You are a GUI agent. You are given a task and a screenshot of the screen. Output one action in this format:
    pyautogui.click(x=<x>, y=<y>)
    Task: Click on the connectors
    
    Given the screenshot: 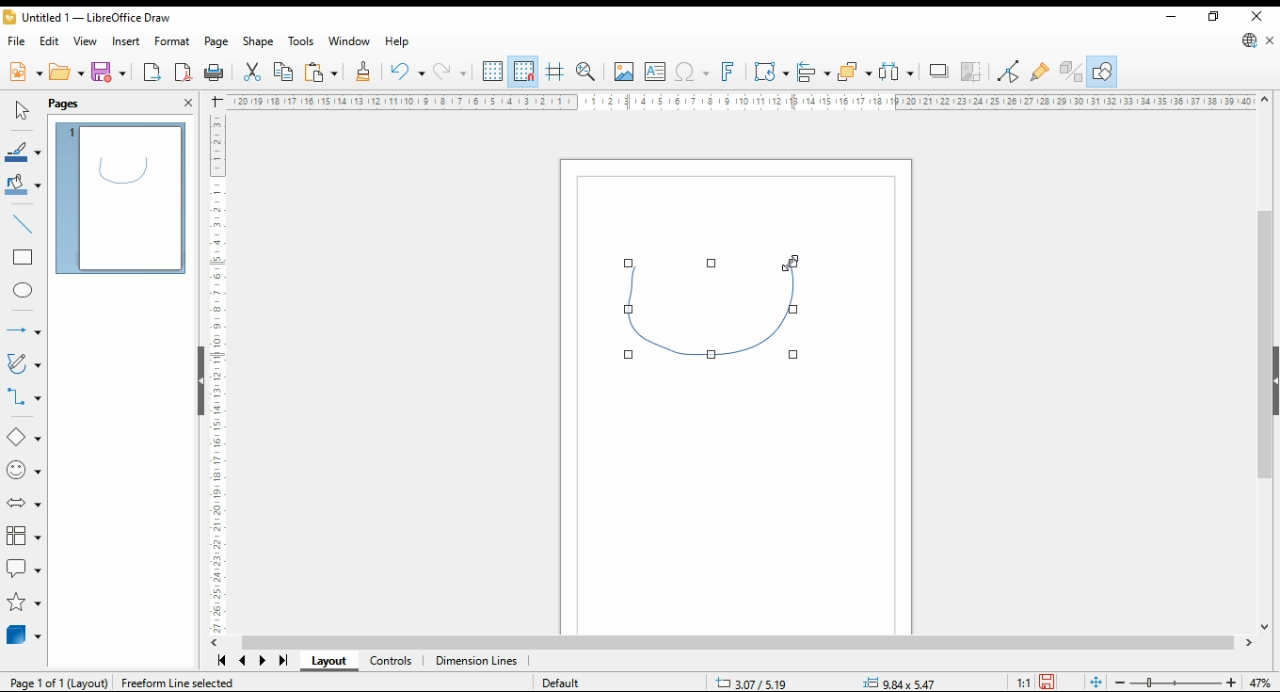 What is the action you would take?
    pyautogui.click(x=22, y=396)
    